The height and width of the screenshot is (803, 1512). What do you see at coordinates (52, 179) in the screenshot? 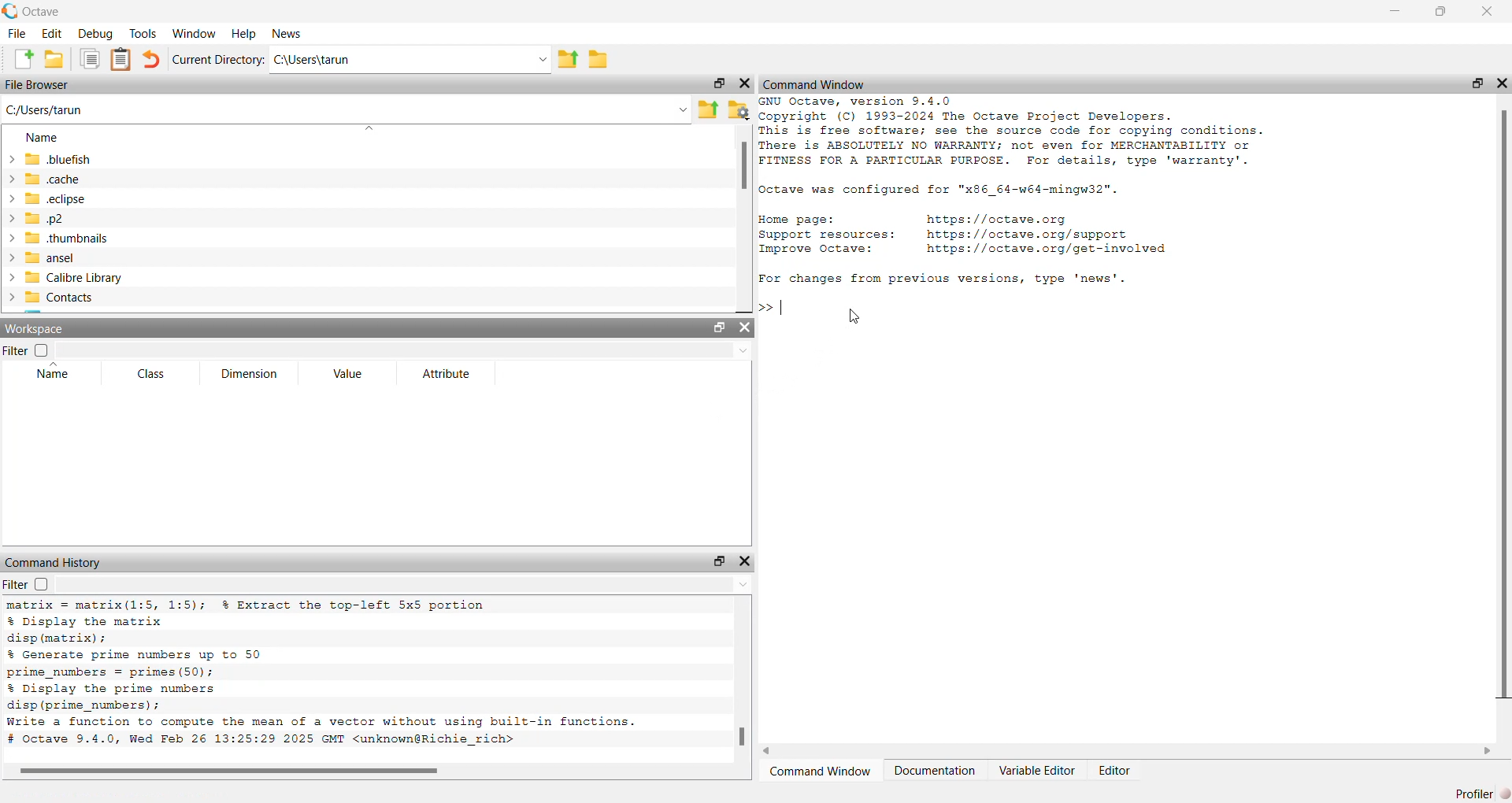
I see `.cache` at bounding box center [52, 179].